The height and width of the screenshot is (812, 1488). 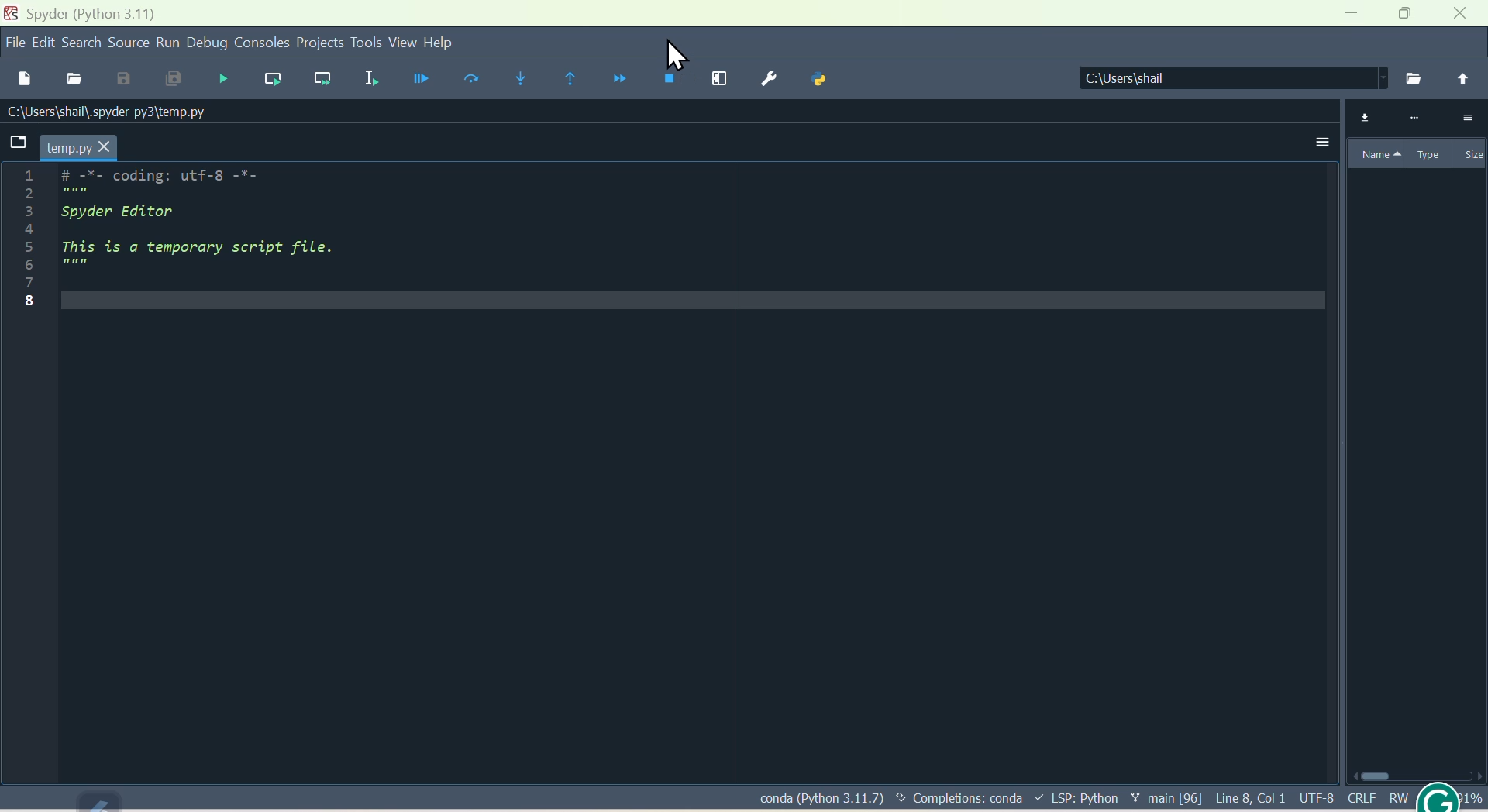 What do you see at coordinates (1463, 78) in the screenshot?
I see `back` at bounding box center [1463, 78].